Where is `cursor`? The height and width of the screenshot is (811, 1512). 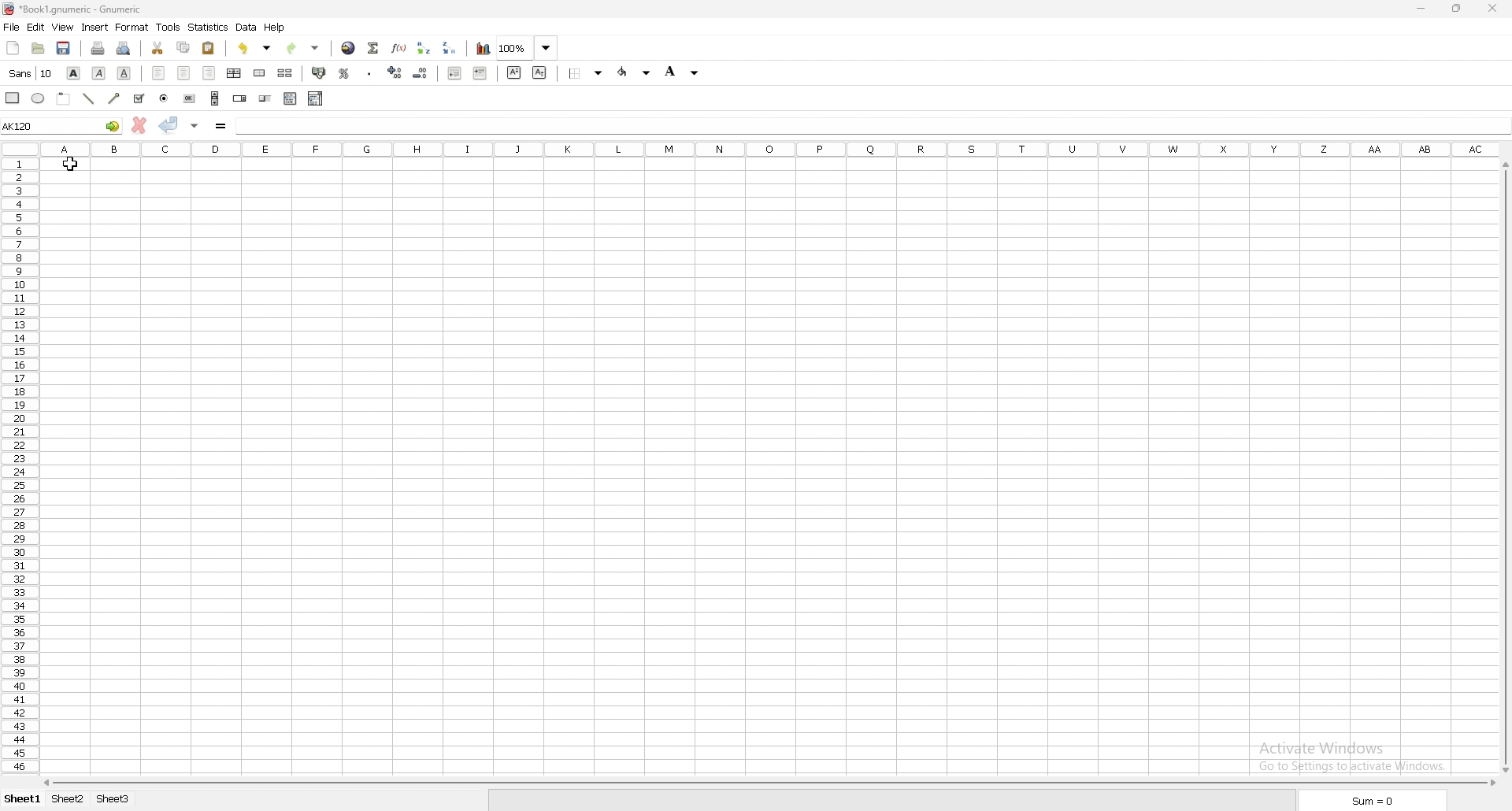
cursor is located at coordinates (72, 164).